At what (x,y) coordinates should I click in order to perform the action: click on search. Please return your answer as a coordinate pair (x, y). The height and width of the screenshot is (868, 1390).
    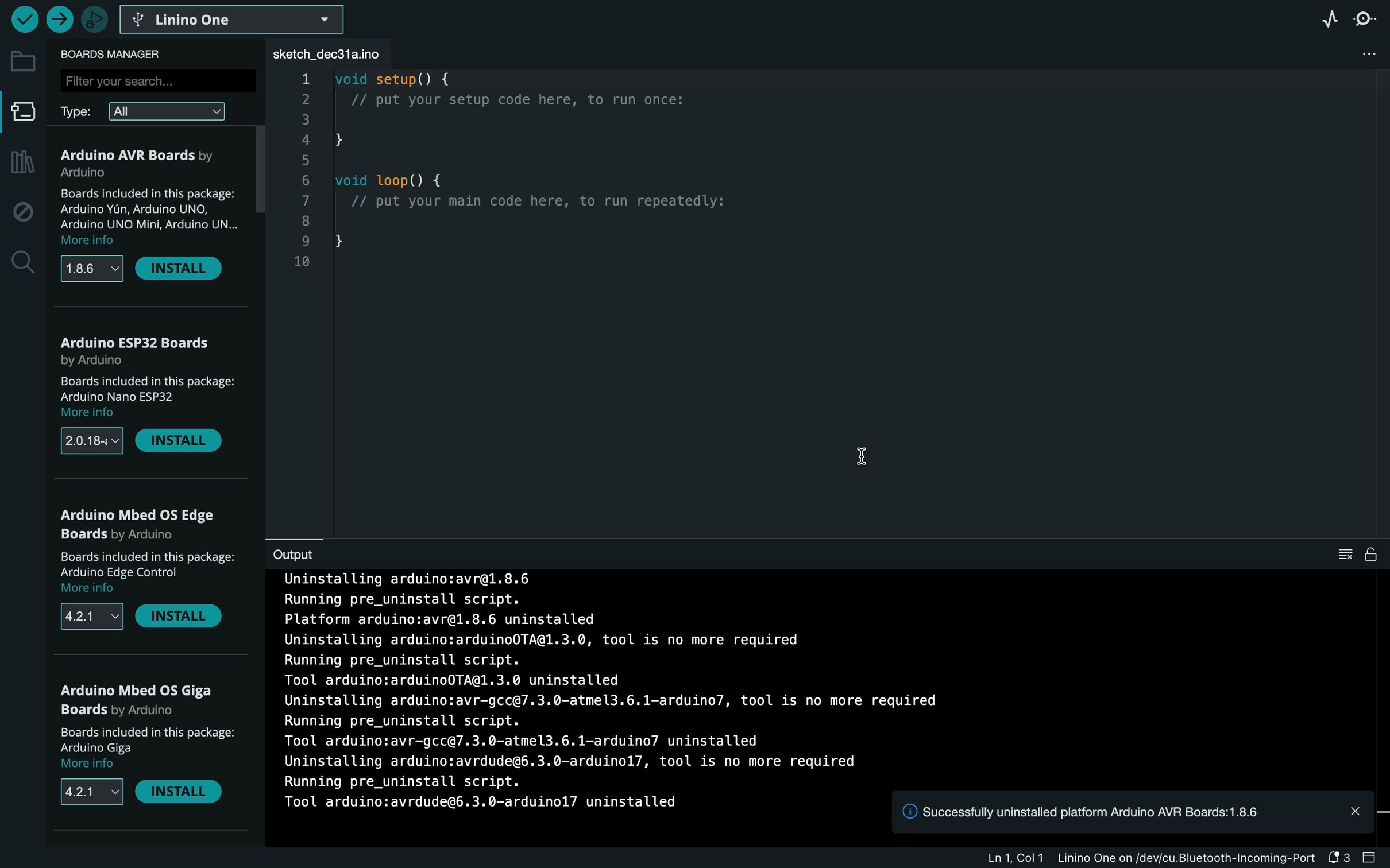
    Looking at the image, I should click on (21, 261).